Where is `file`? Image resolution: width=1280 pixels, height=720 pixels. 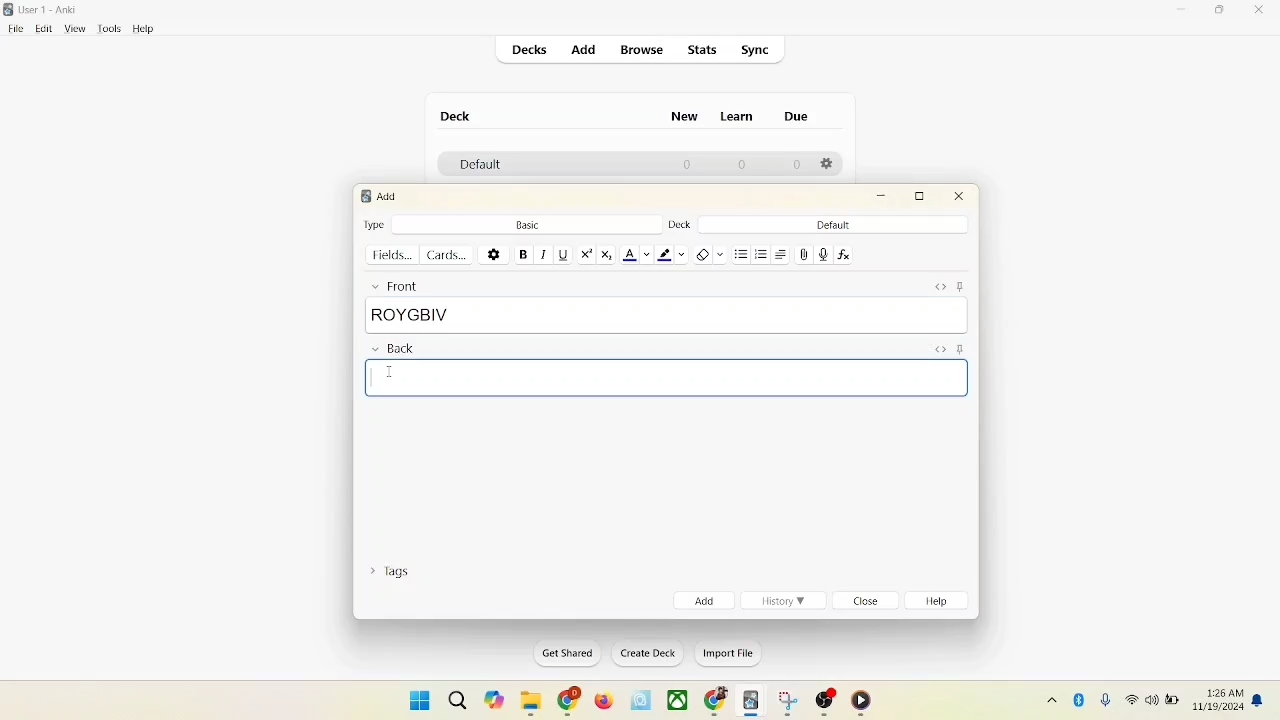
file is located at coordinates (13, 29).